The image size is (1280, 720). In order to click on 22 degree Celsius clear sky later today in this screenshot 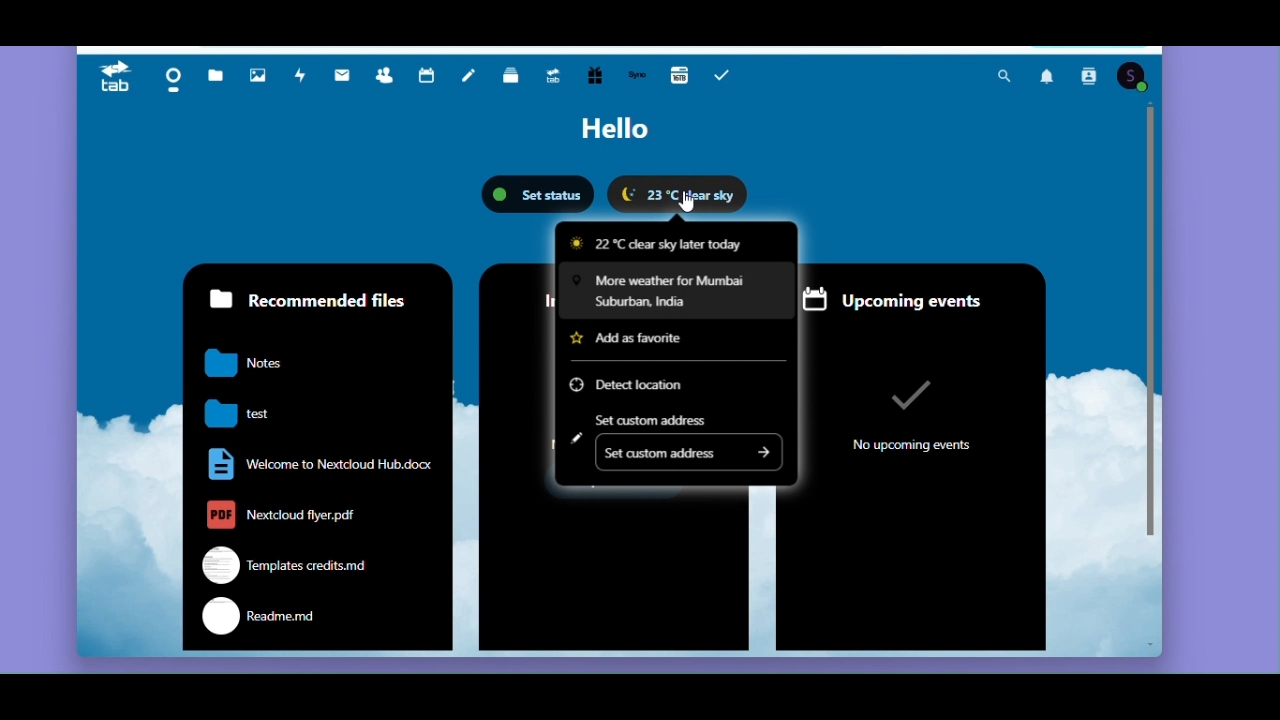, I will do `click(677, 242)`.